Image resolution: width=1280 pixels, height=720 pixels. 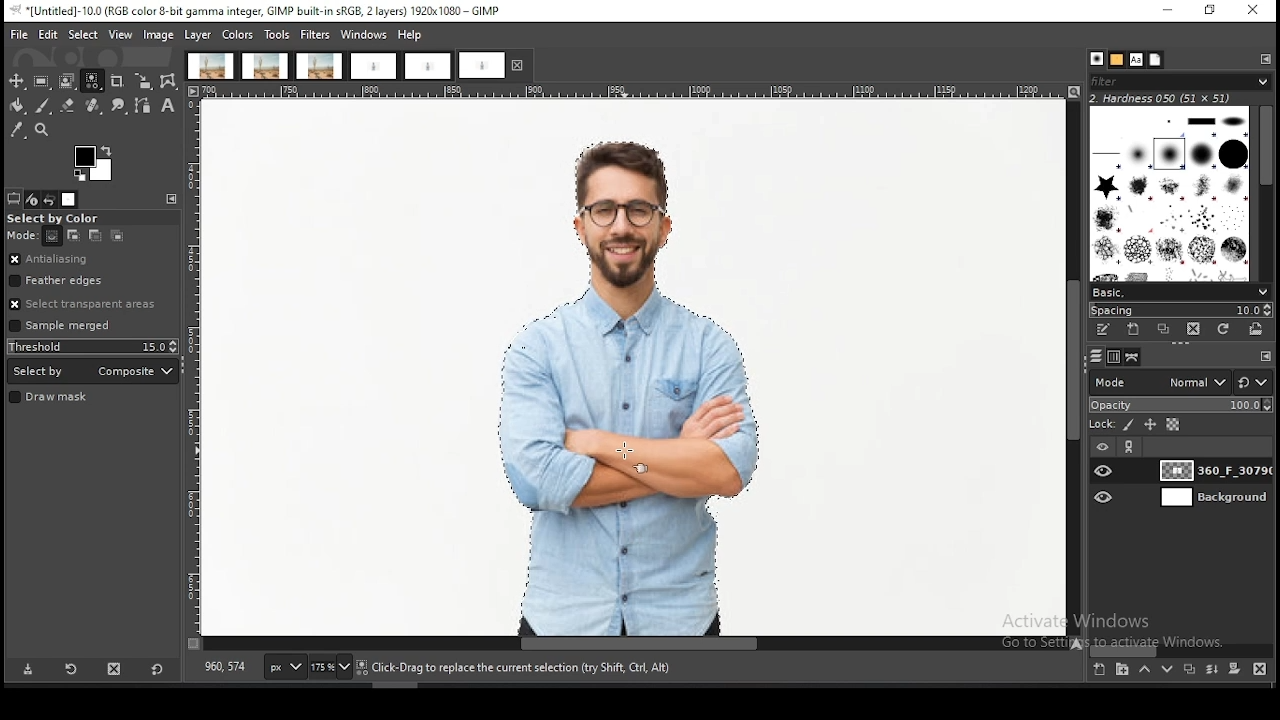 What do you see at coordinates (73, 668) in the screenshot?
I see `restore tool preset` at bounding box center [73, 668].